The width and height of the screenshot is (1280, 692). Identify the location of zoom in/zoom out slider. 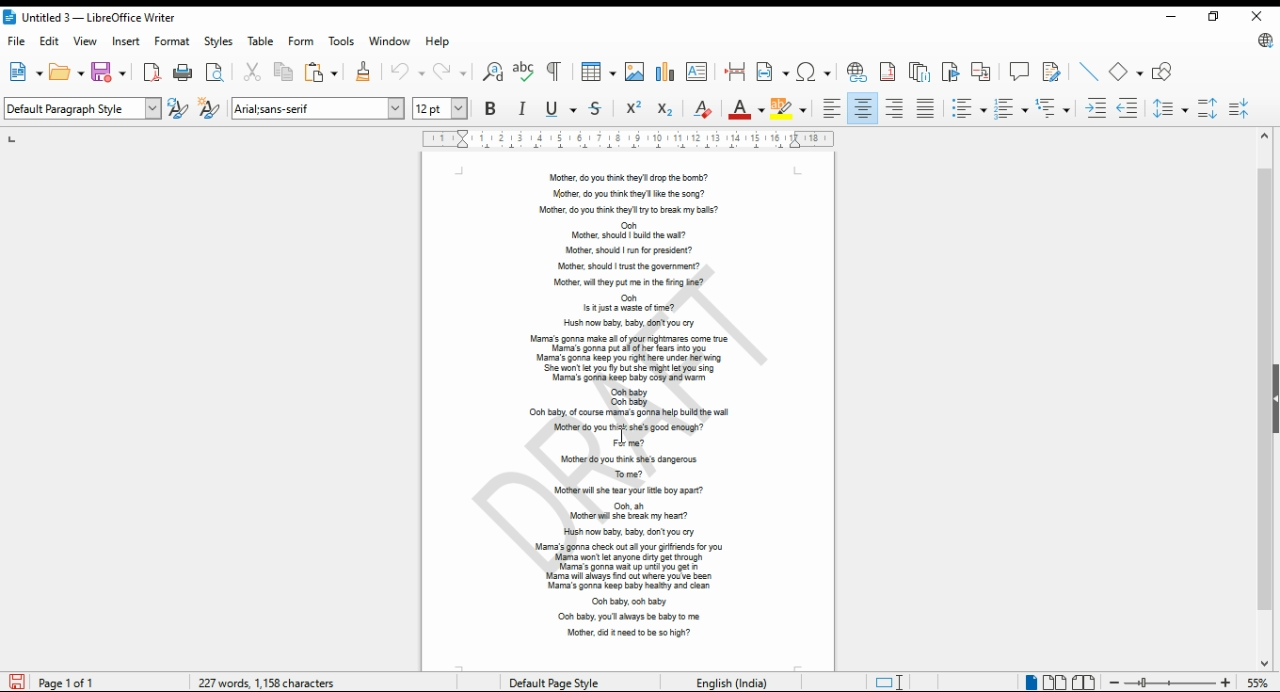
(1170, 683).